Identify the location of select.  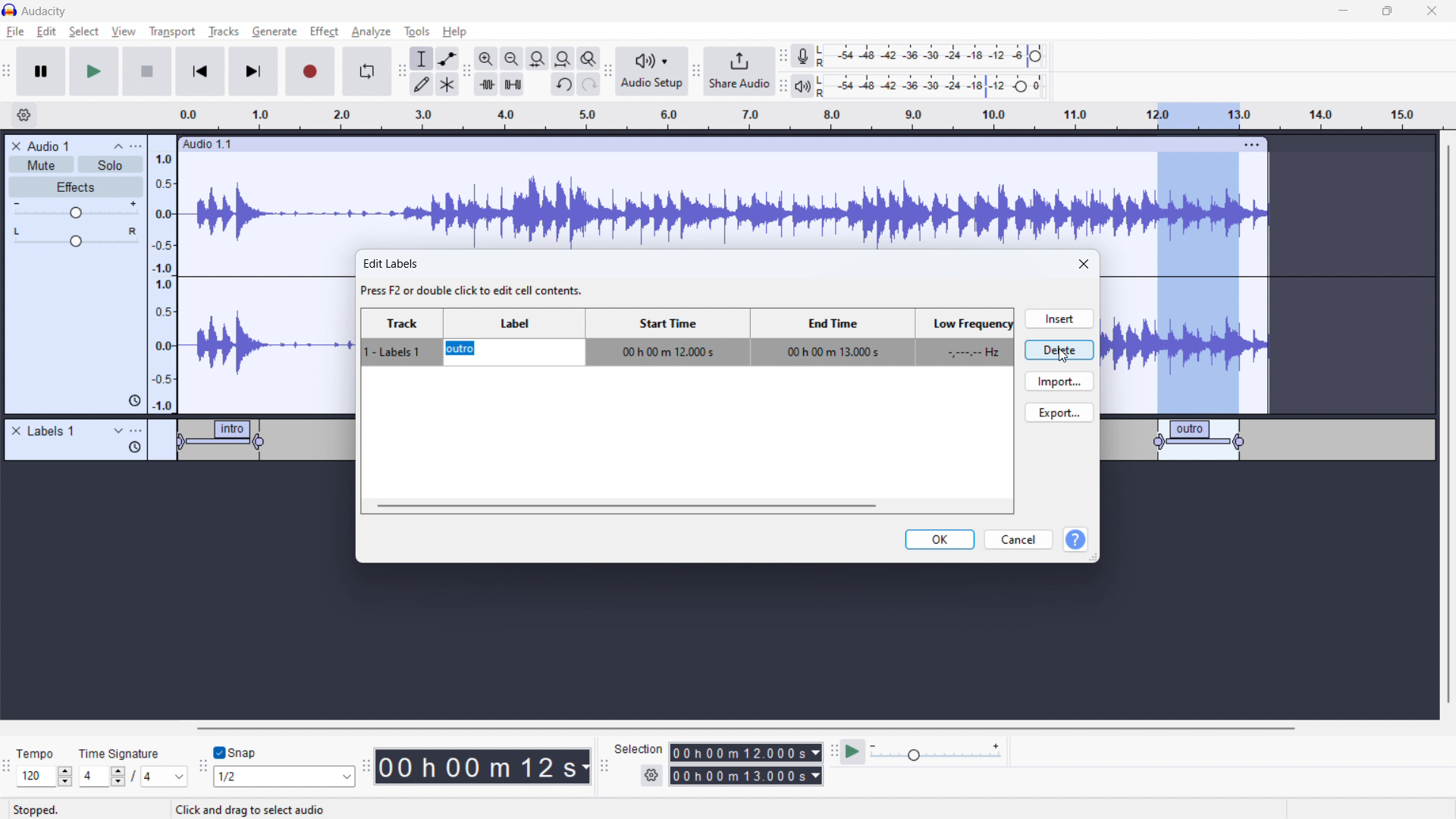
(83, 31).